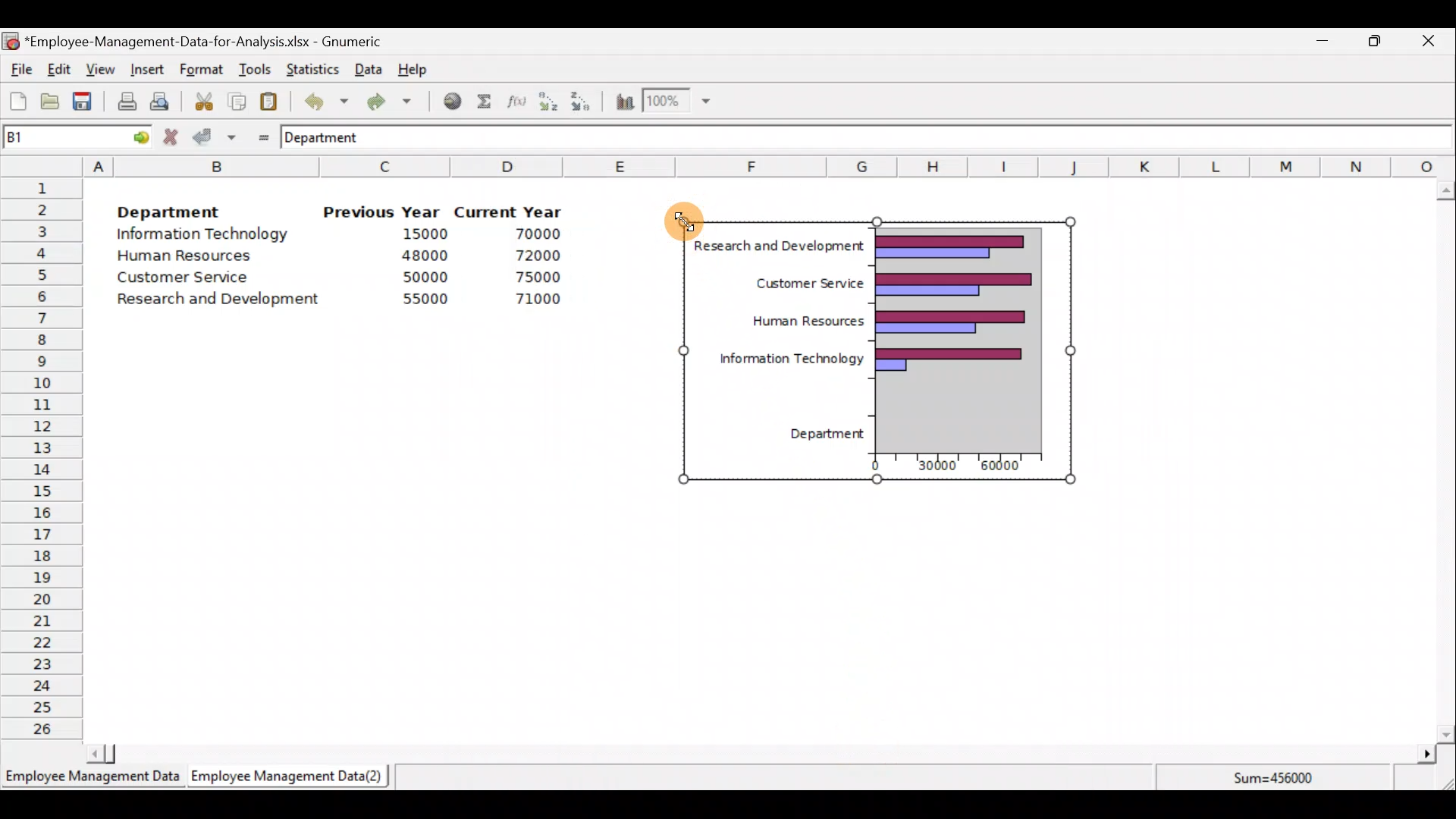  What do you see at coordinates (877, 462) in the screenshot?
I see `0` at bounding box center [877, 462].